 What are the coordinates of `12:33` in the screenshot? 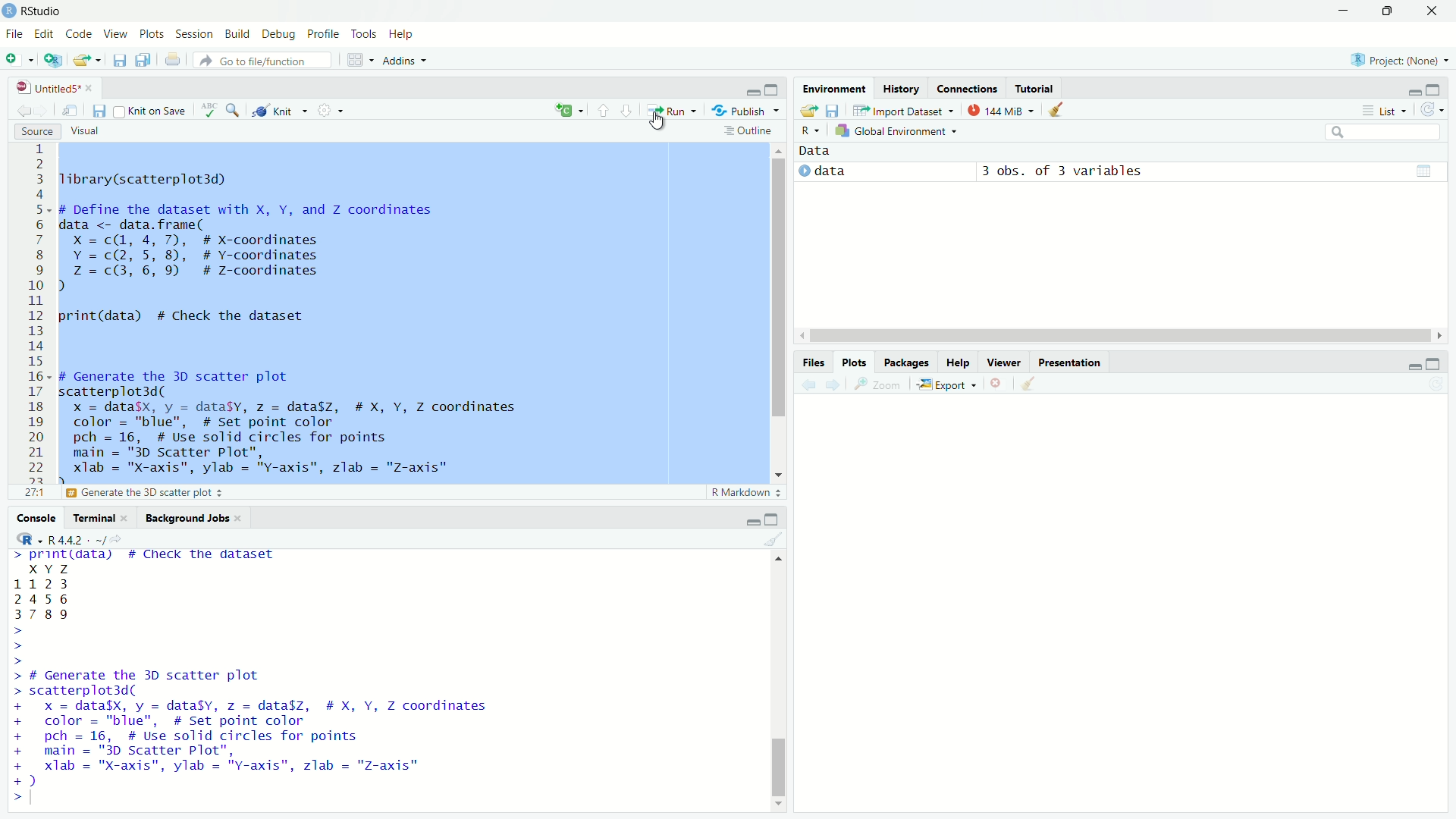 It's located at (32, 493).